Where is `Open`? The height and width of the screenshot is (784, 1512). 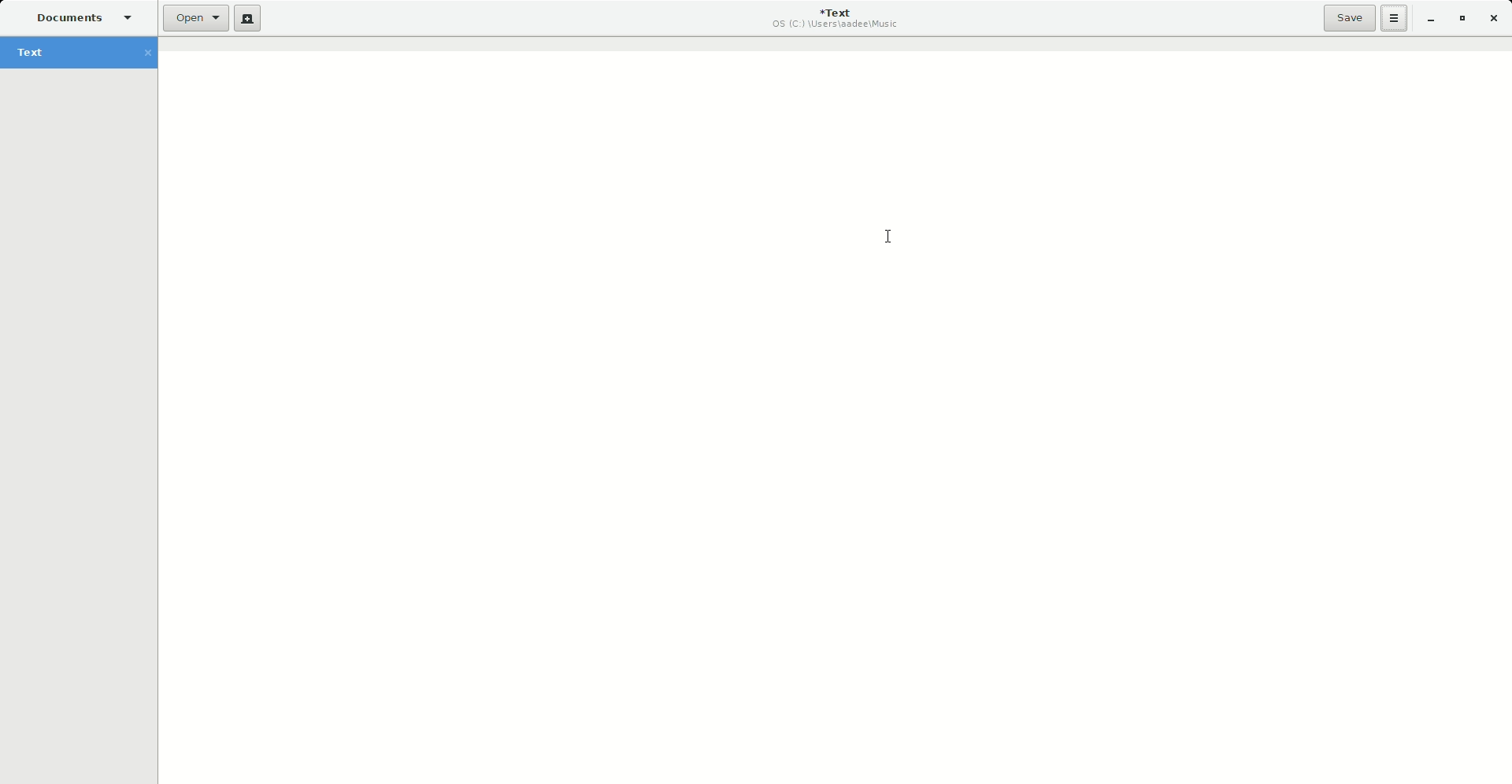 Open is located at coordinates (196, 19).